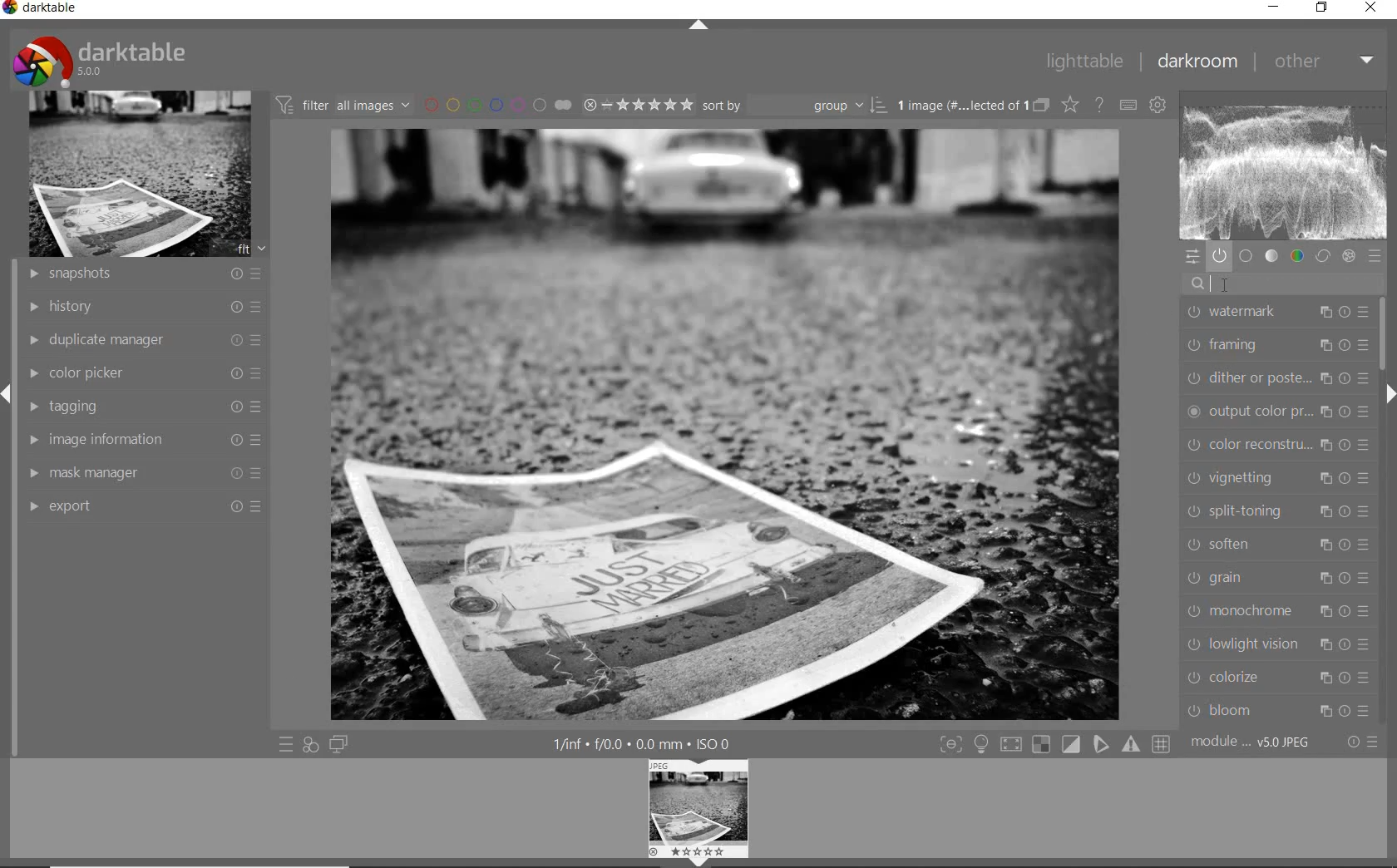 This screenshot has width=1397, height=868. What do you see at coordinates (1276, 380) in the screenshot?
I see `dither or paste` at bounding box center [1276, 380].